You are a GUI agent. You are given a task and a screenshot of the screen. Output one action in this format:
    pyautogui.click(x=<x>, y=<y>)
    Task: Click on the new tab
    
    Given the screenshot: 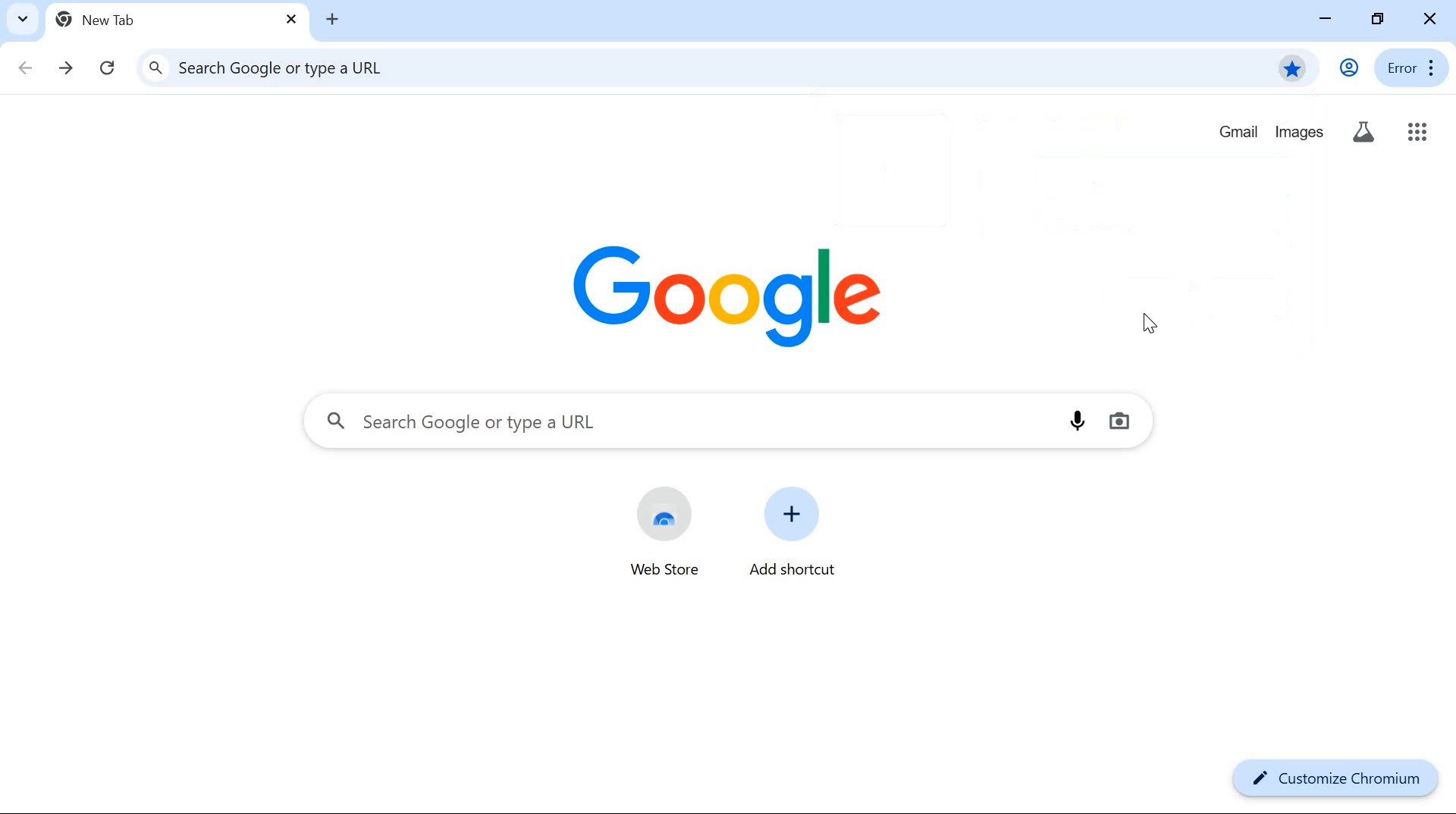 What is the action you would take?
    pyautogui.click(x=331, y=19)
    